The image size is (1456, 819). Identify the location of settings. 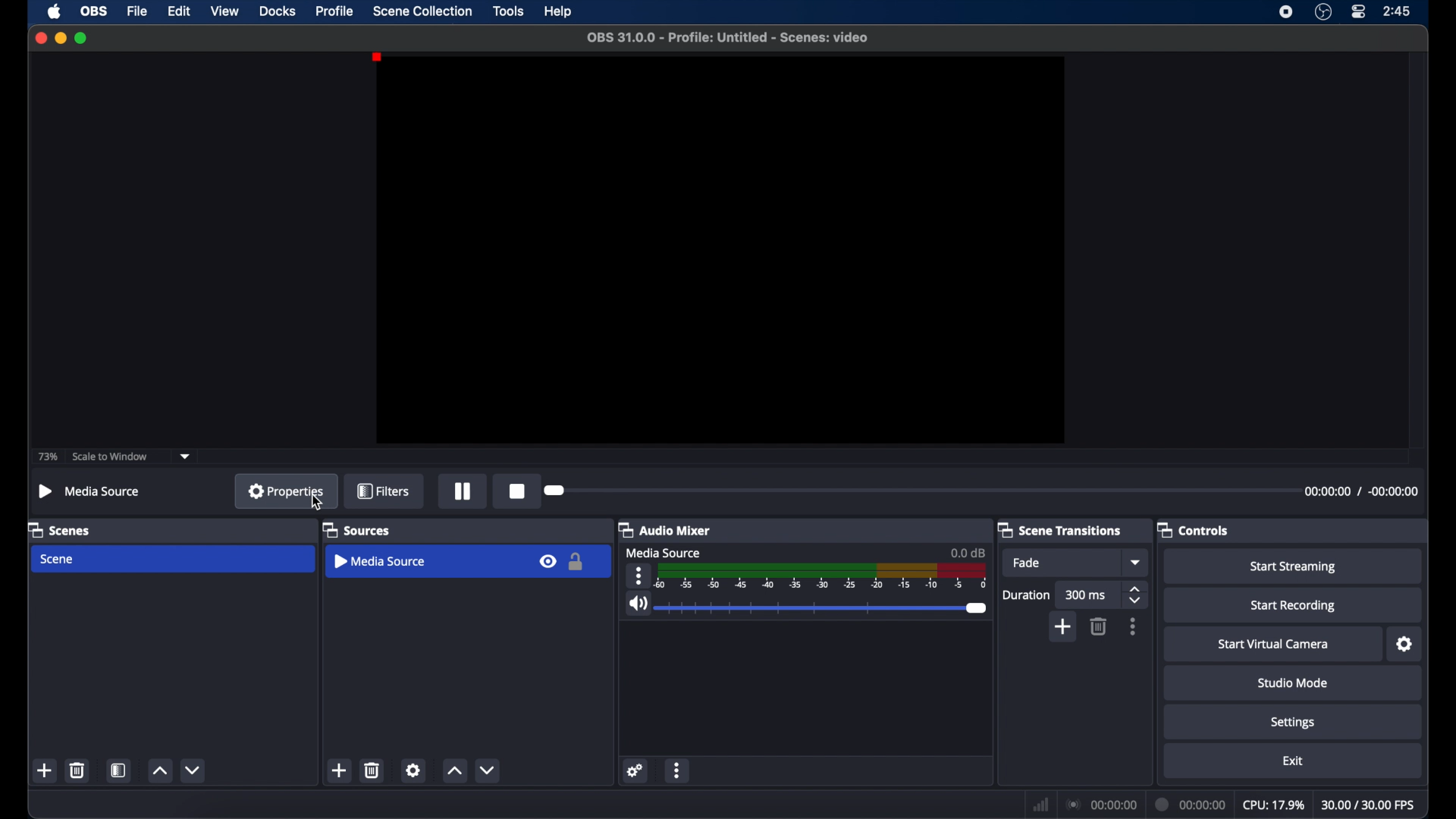
(635, 770).